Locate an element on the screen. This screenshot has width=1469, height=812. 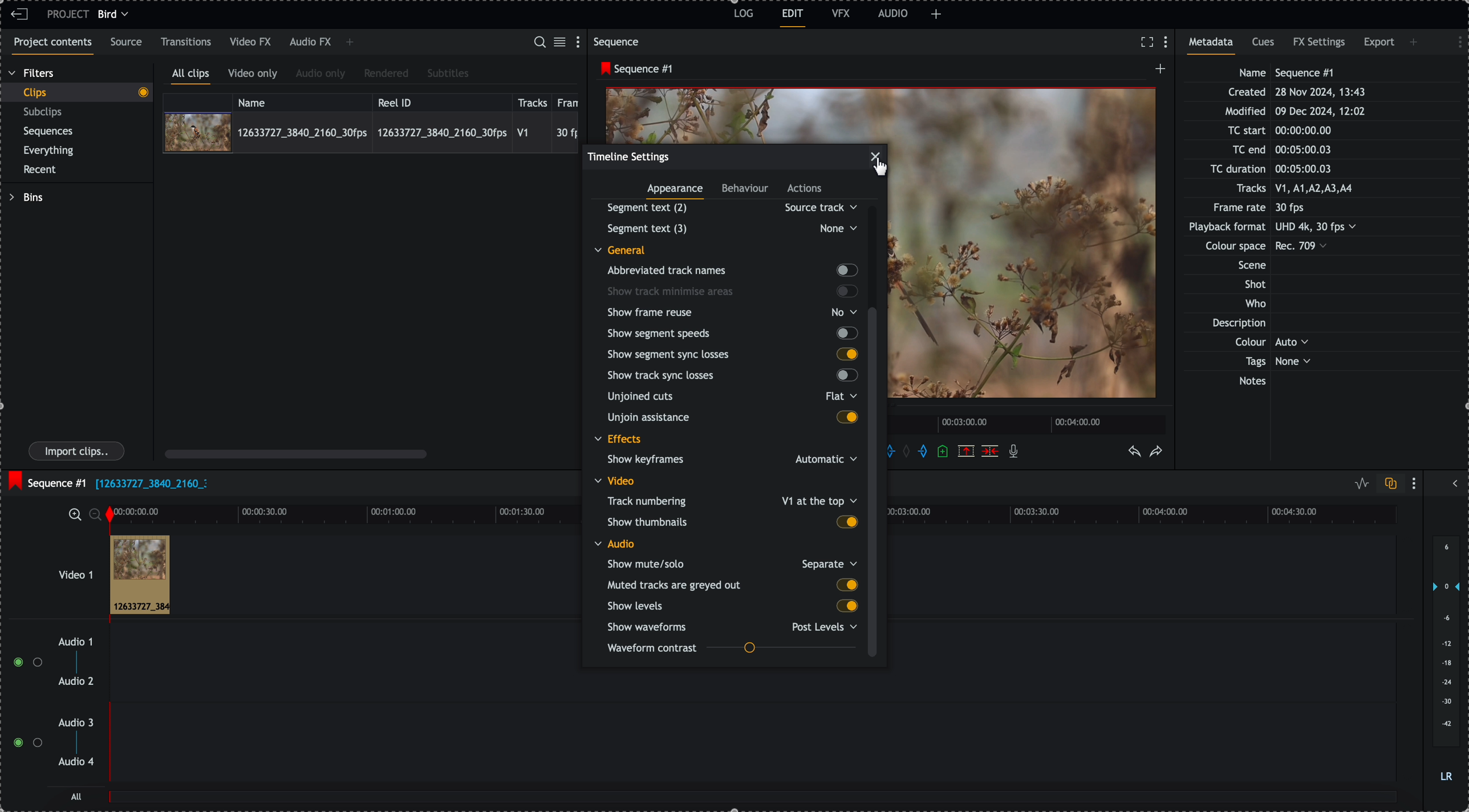
 is located at coordinates (47, 152).